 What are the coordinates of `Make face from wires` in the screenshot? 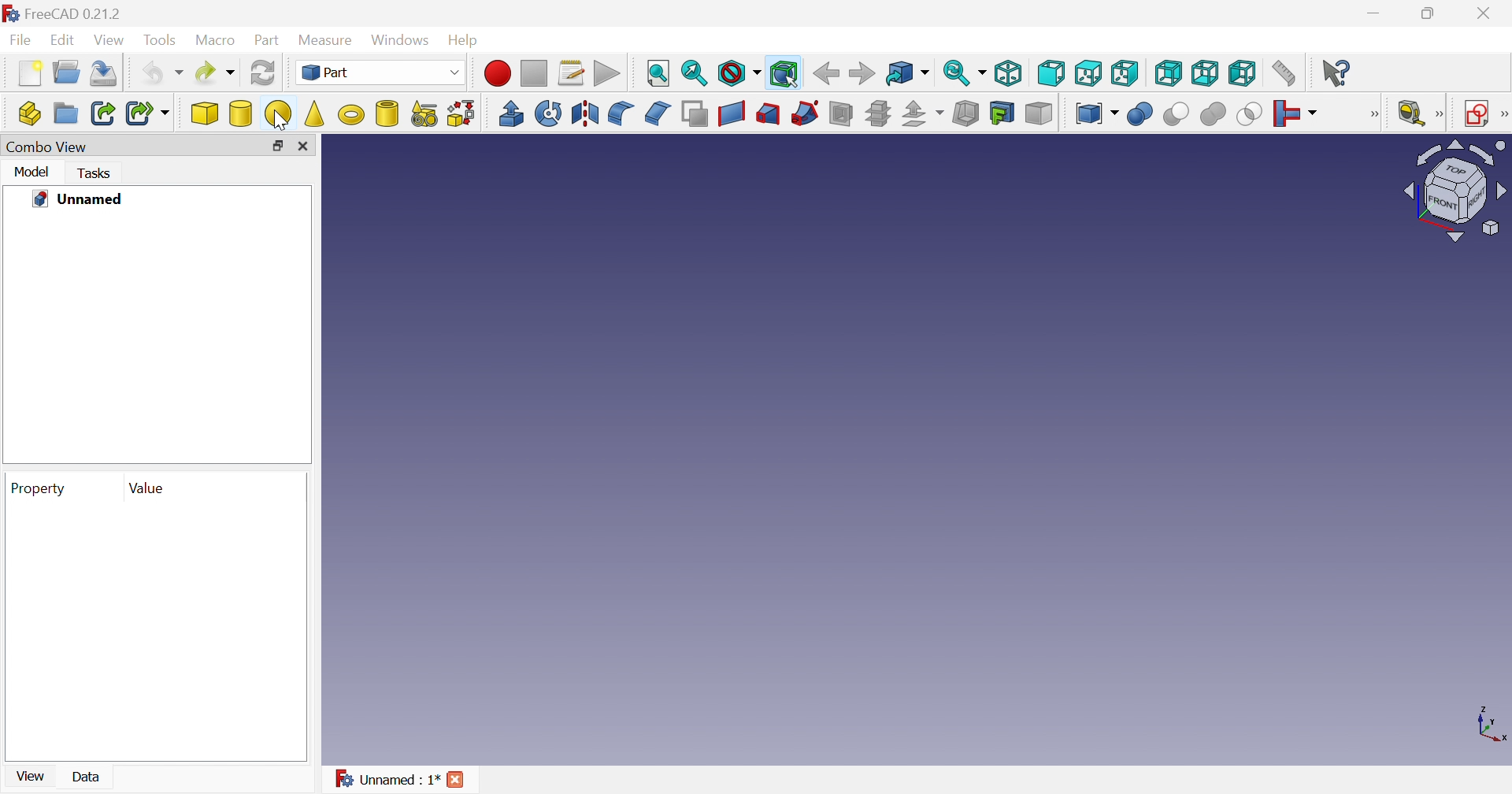 It's located at (695, 113).